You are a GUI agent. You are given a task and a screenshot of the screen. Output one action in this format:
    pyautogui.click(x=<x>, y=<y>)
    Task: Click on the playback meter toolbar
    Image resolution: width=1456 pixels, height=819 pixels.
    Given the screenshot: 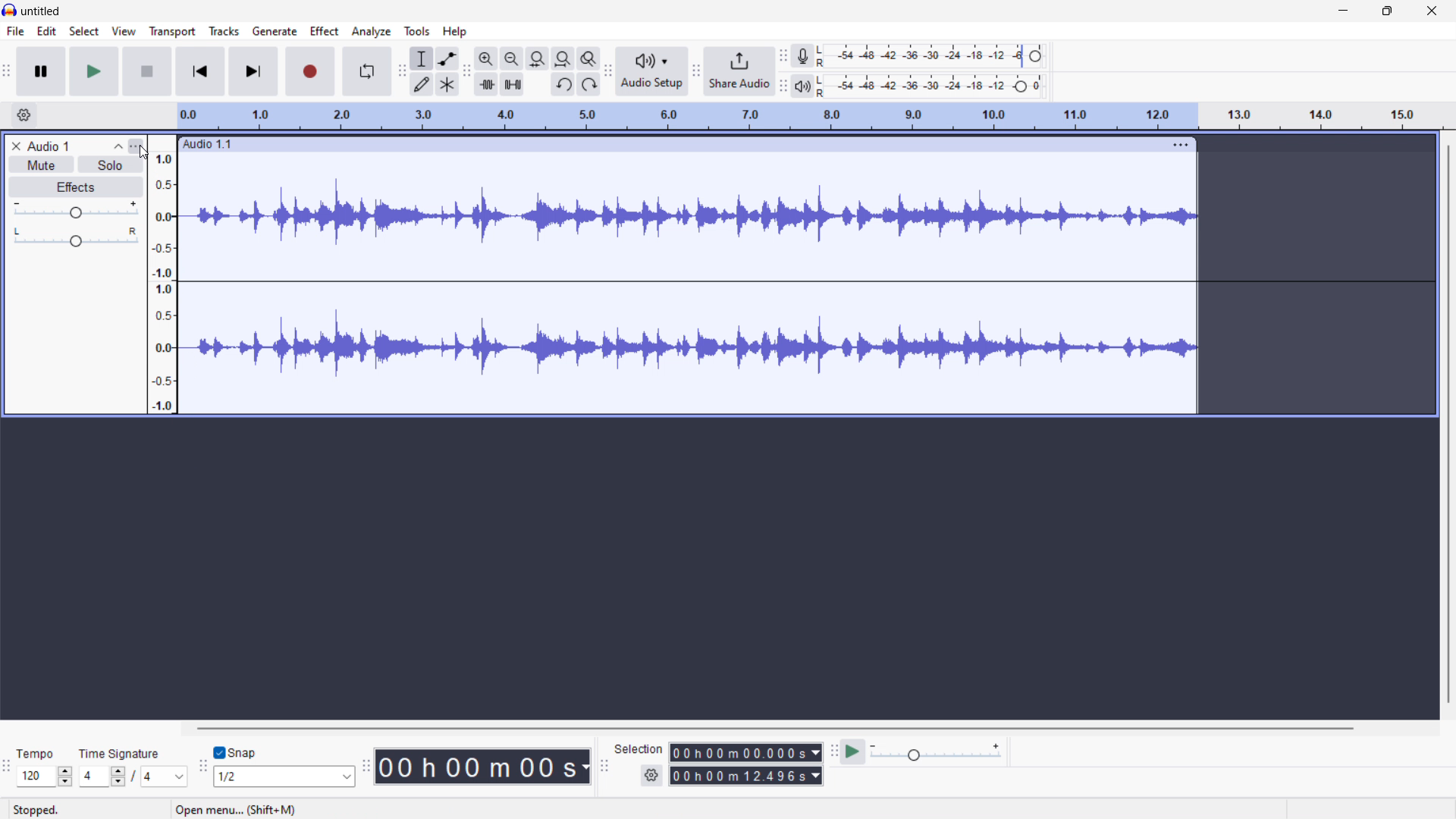 What is the action you would take?
    pyautogui.click(x=782, y=87)
    